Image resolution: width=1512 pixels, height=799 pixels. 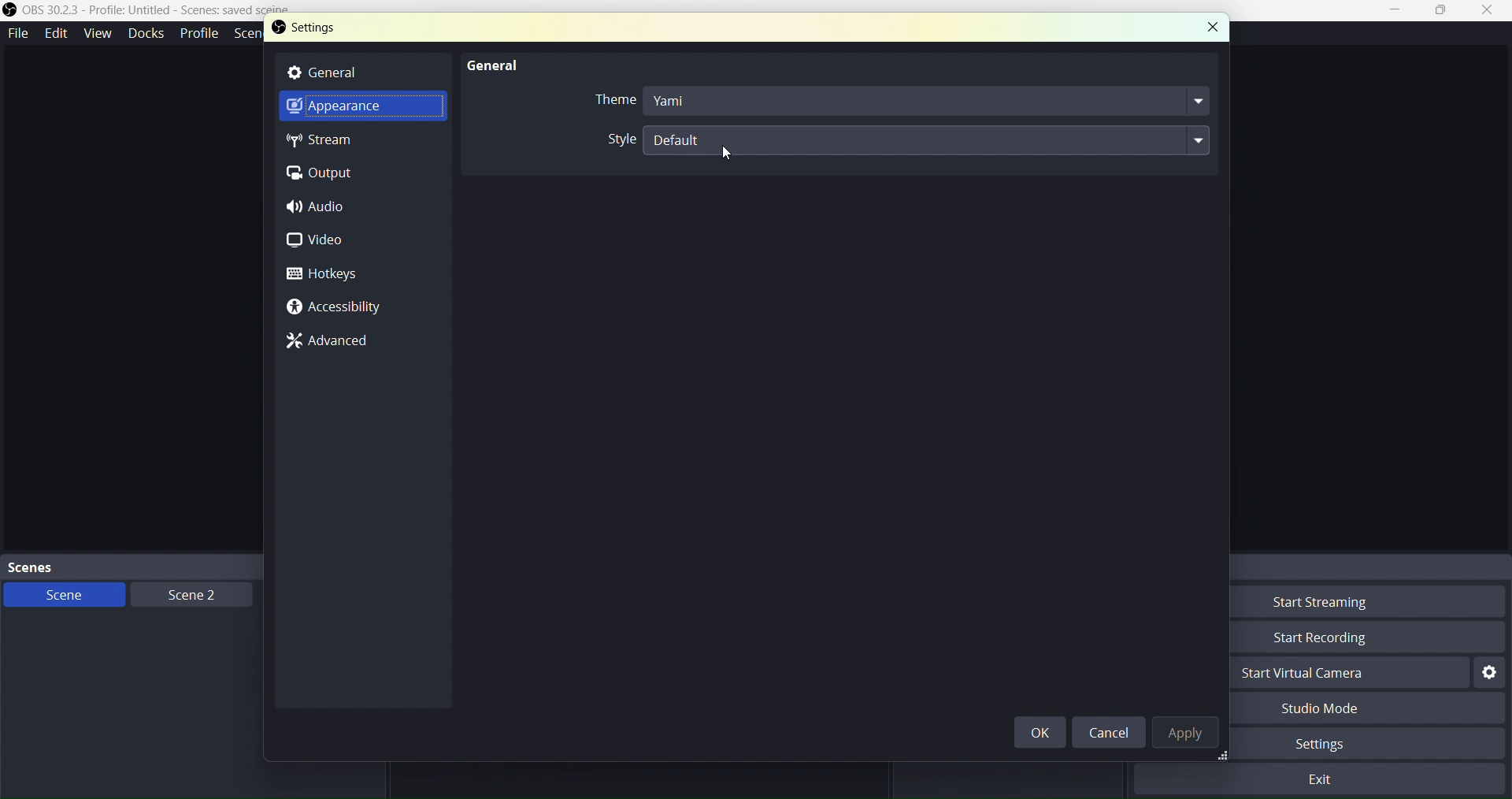 What do you see at coordinates (186, 594) in the screenshot?
I see `Scene2` at bounding box center [186, 594].